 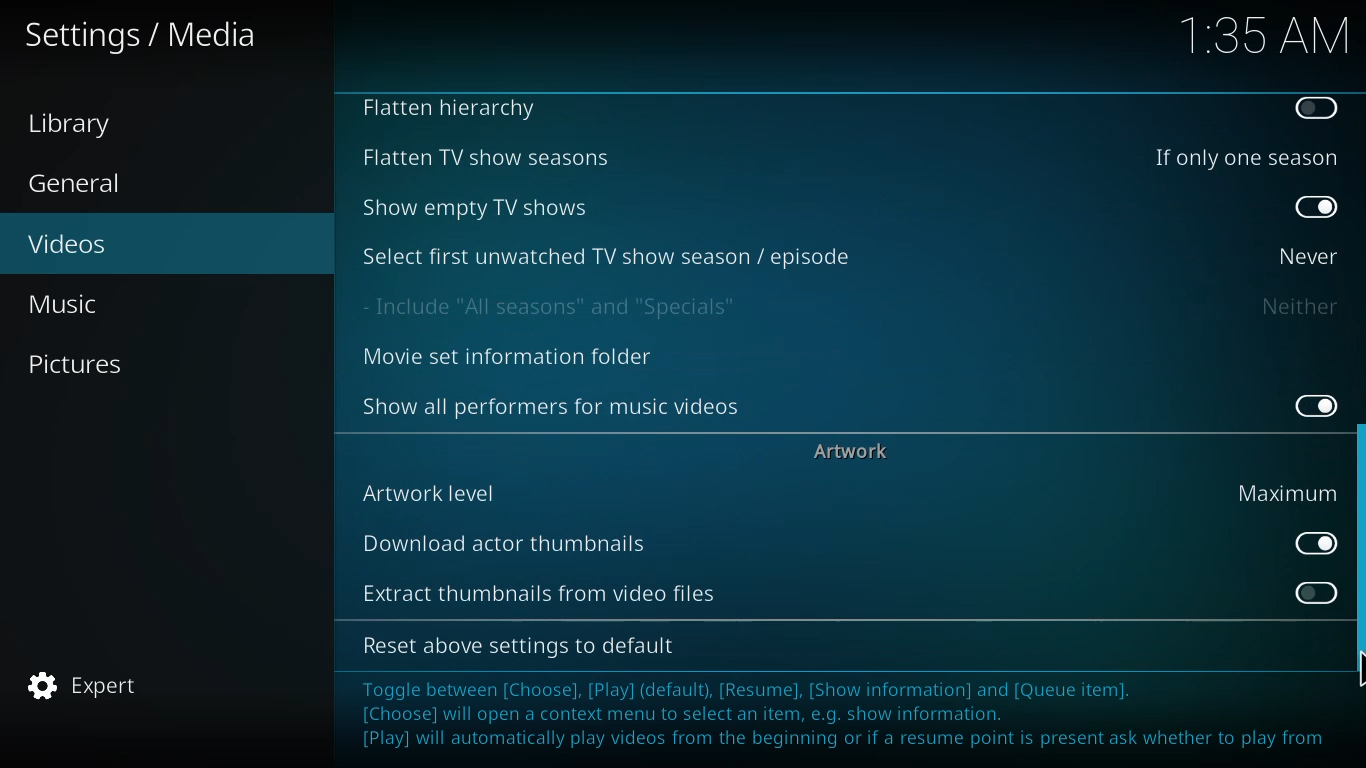 What do you see at coordinates (553, 405) in the screenshot?
I see `show all performers` at bounding box center [553, 405].